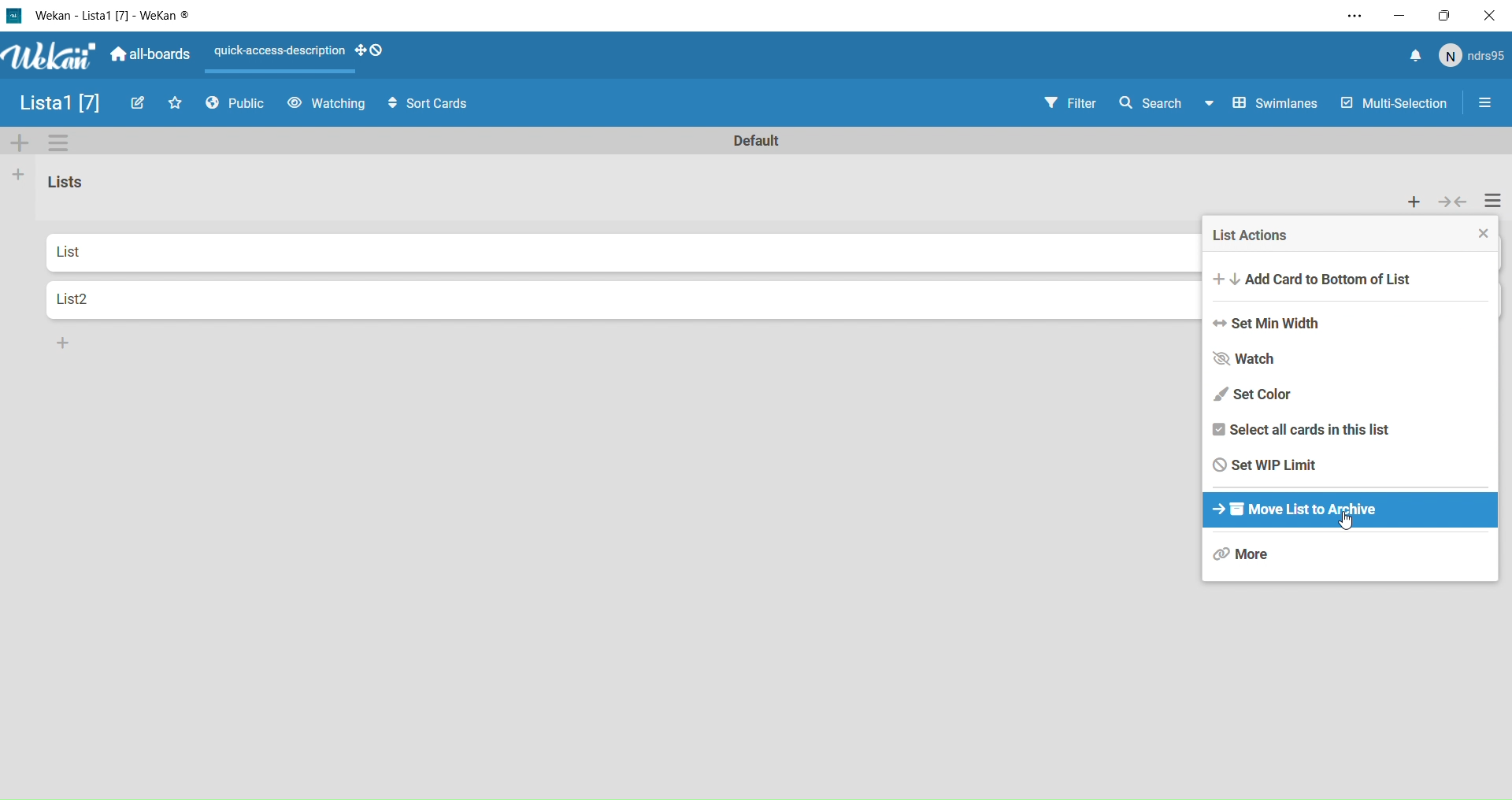  Describe the element at coordinates (620, 254) in the screenshot. I see `List` at that location.